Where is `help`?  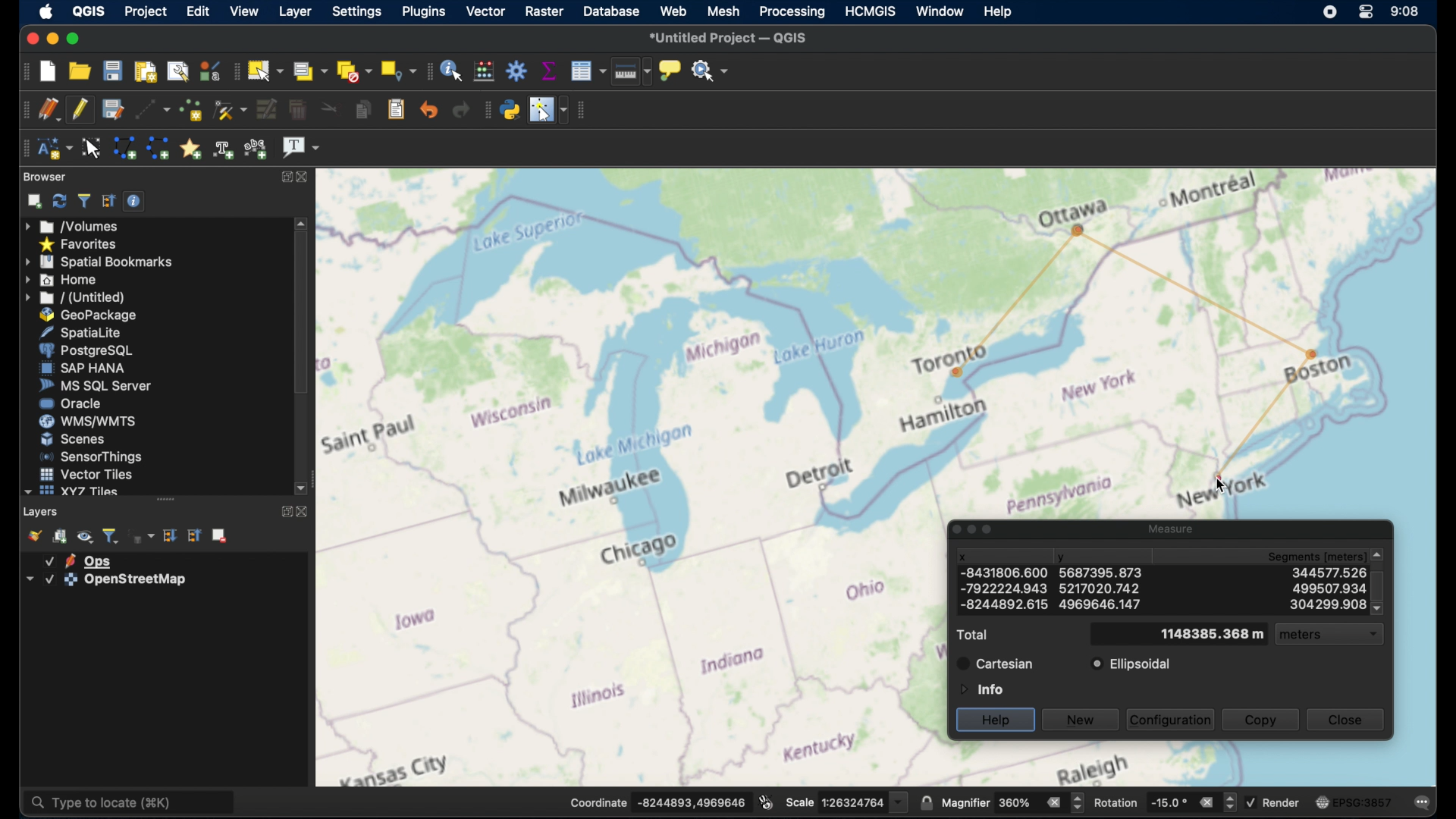
help is located at coordinates (996, 11).